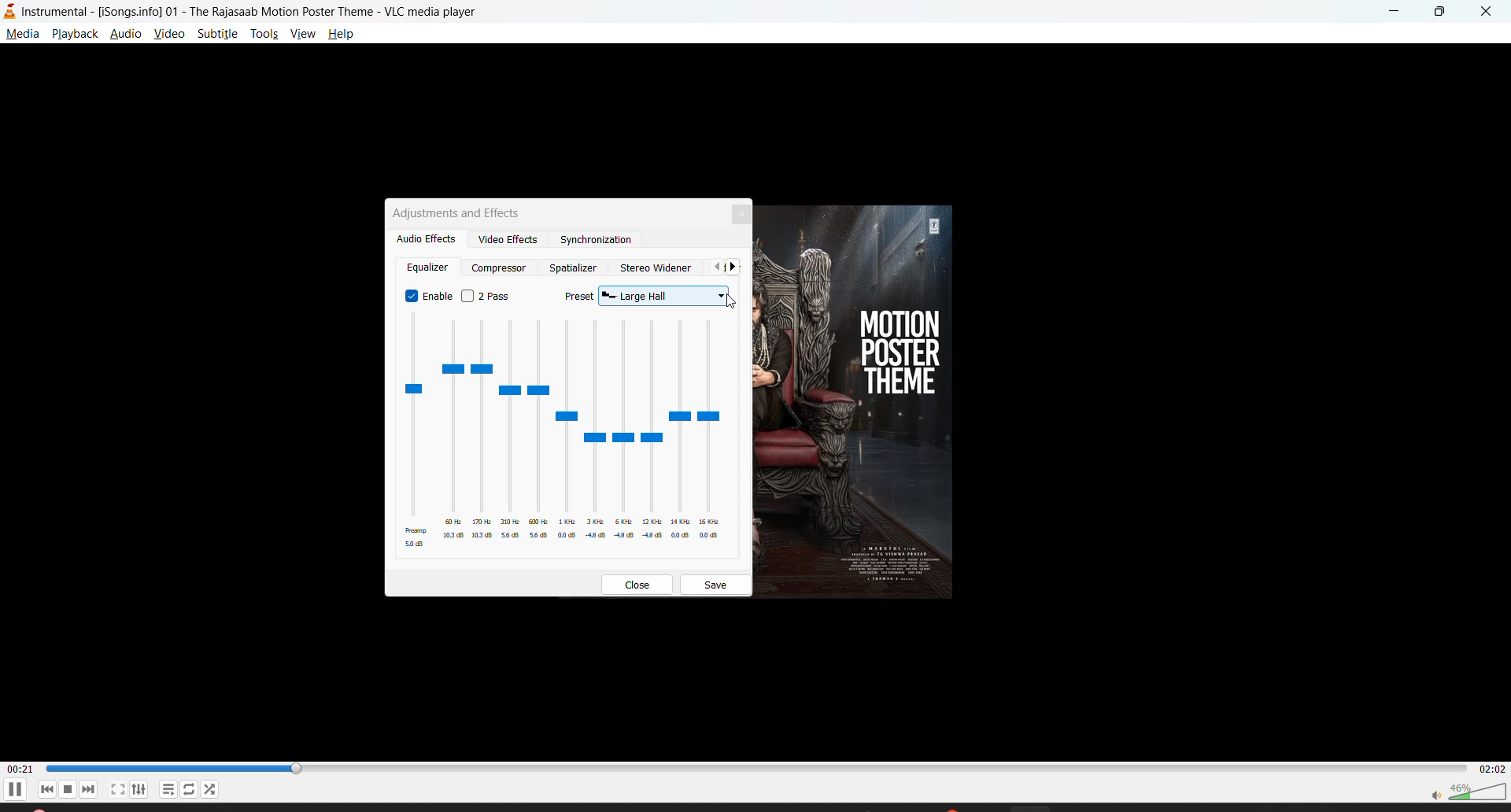  What do you see at coordinates (737, 268) in the screenshot?
I see `next` at bounding box center [737, 268].